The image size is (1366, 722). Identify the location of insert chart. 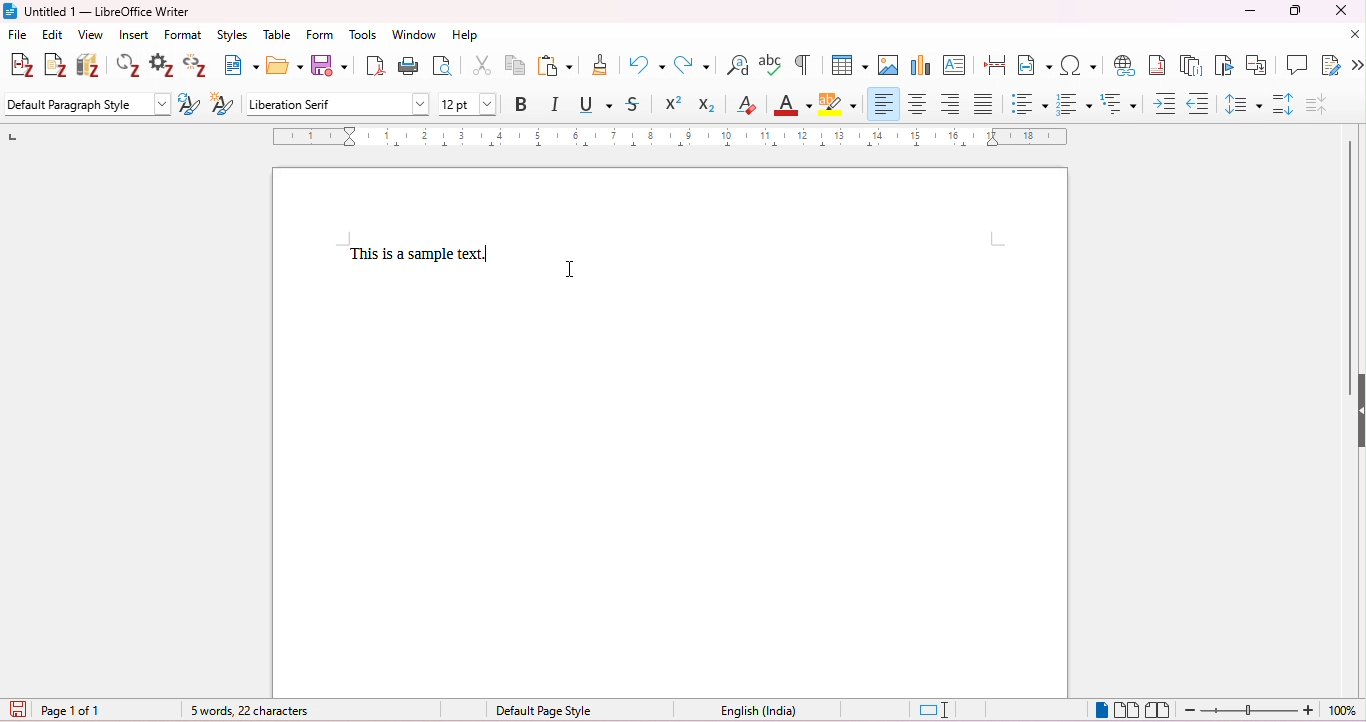
(922, 66).